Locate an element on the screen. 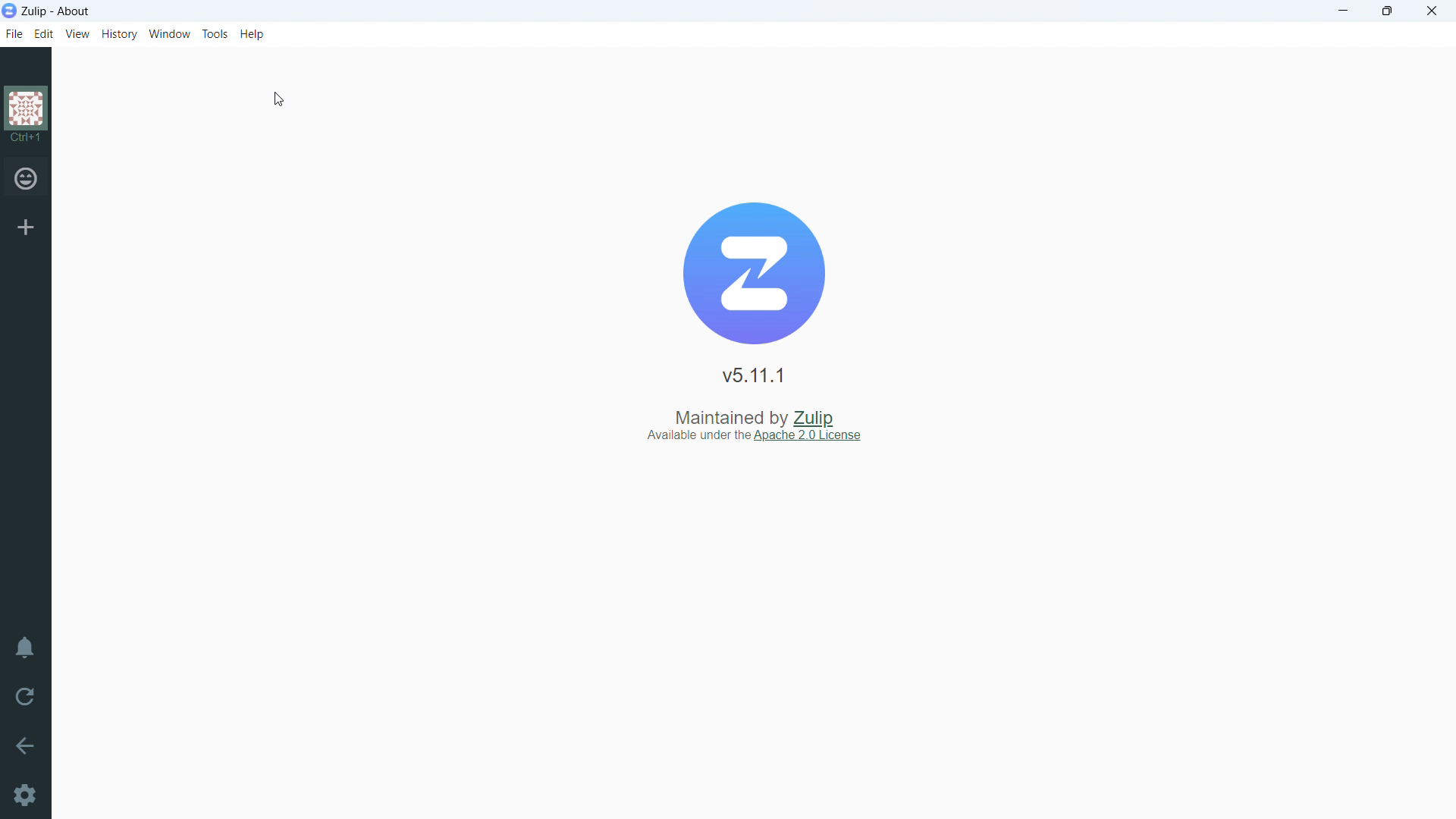 This screenshot has width=1456, height=819. Pointer is located at coordinates (284, 103).